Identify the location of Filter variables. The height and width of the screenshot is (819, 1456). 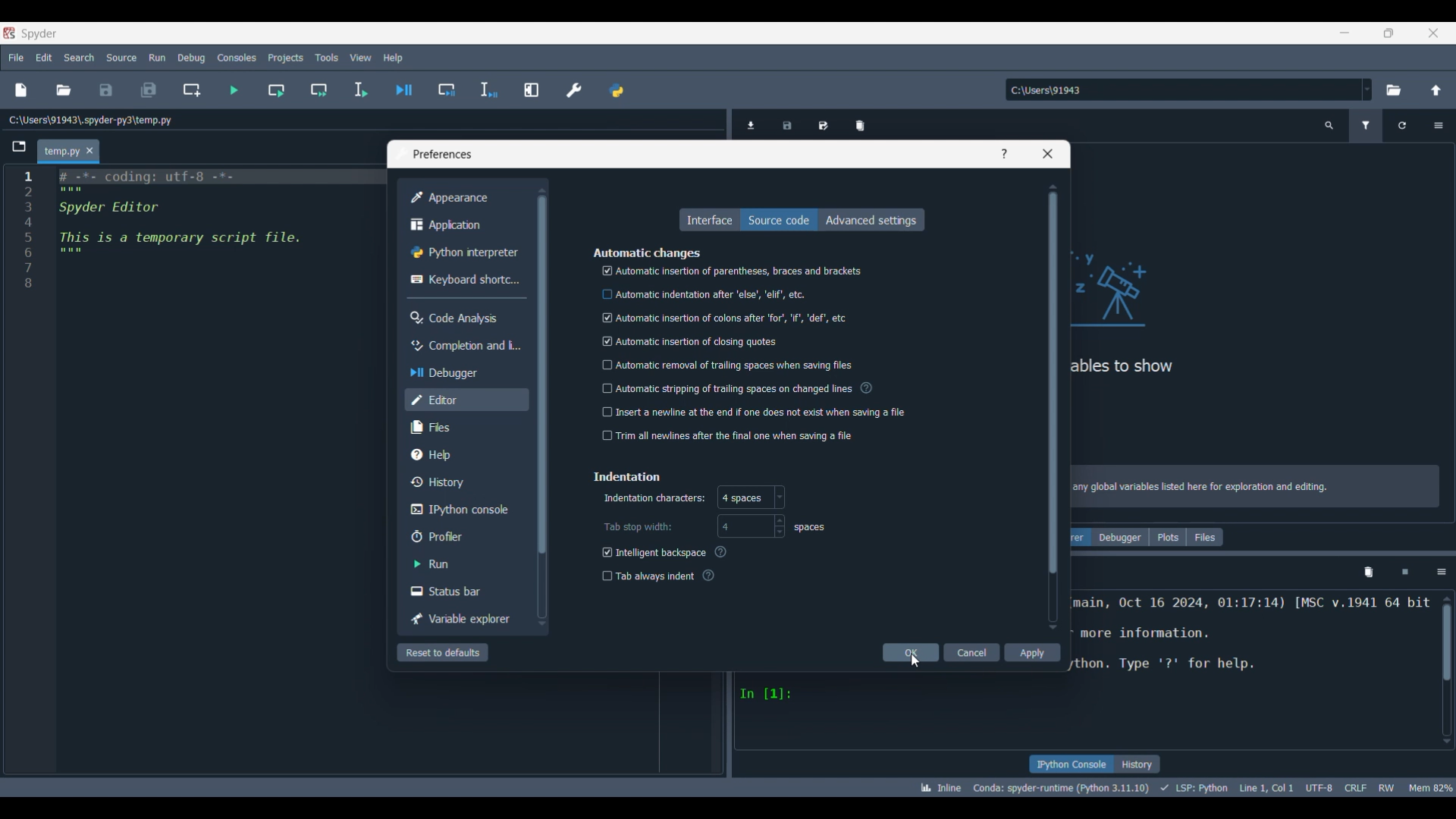
(1366, 126).